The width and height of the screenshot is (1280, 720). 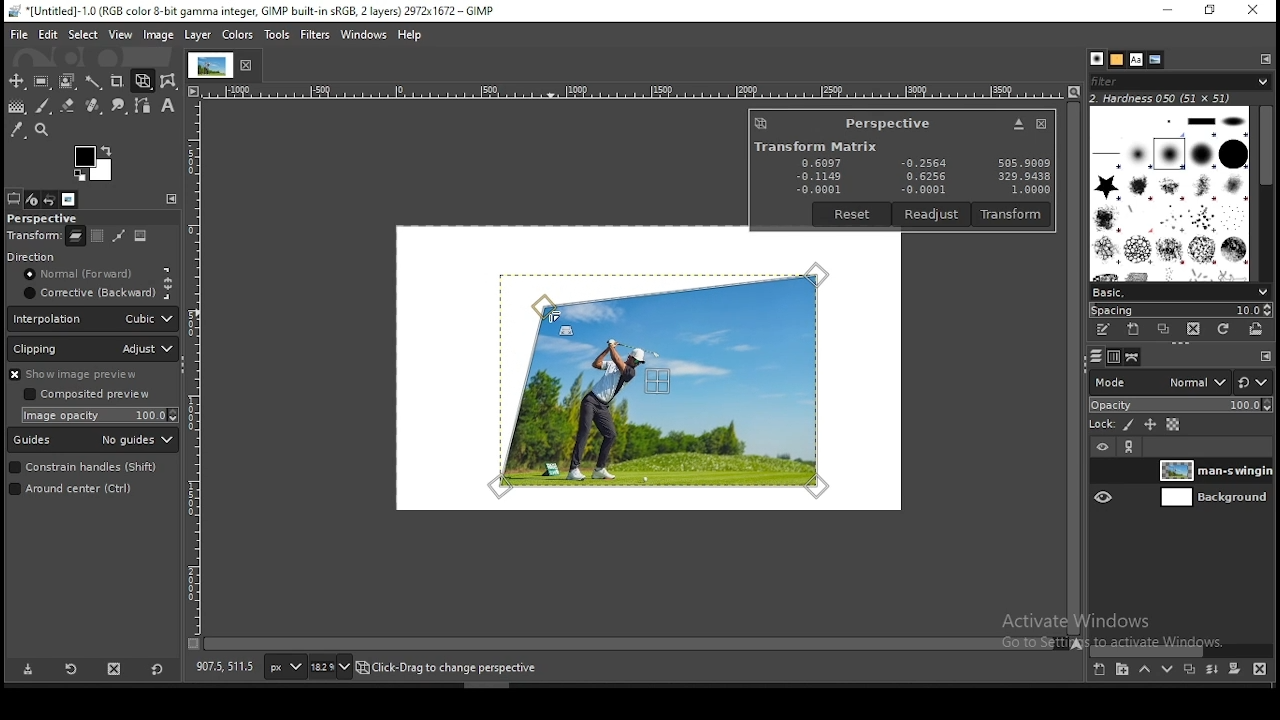 What do you see at coordinates (1260, 668) in the screenshot?
I see `delete layer` at bounding box center [1260, 668].